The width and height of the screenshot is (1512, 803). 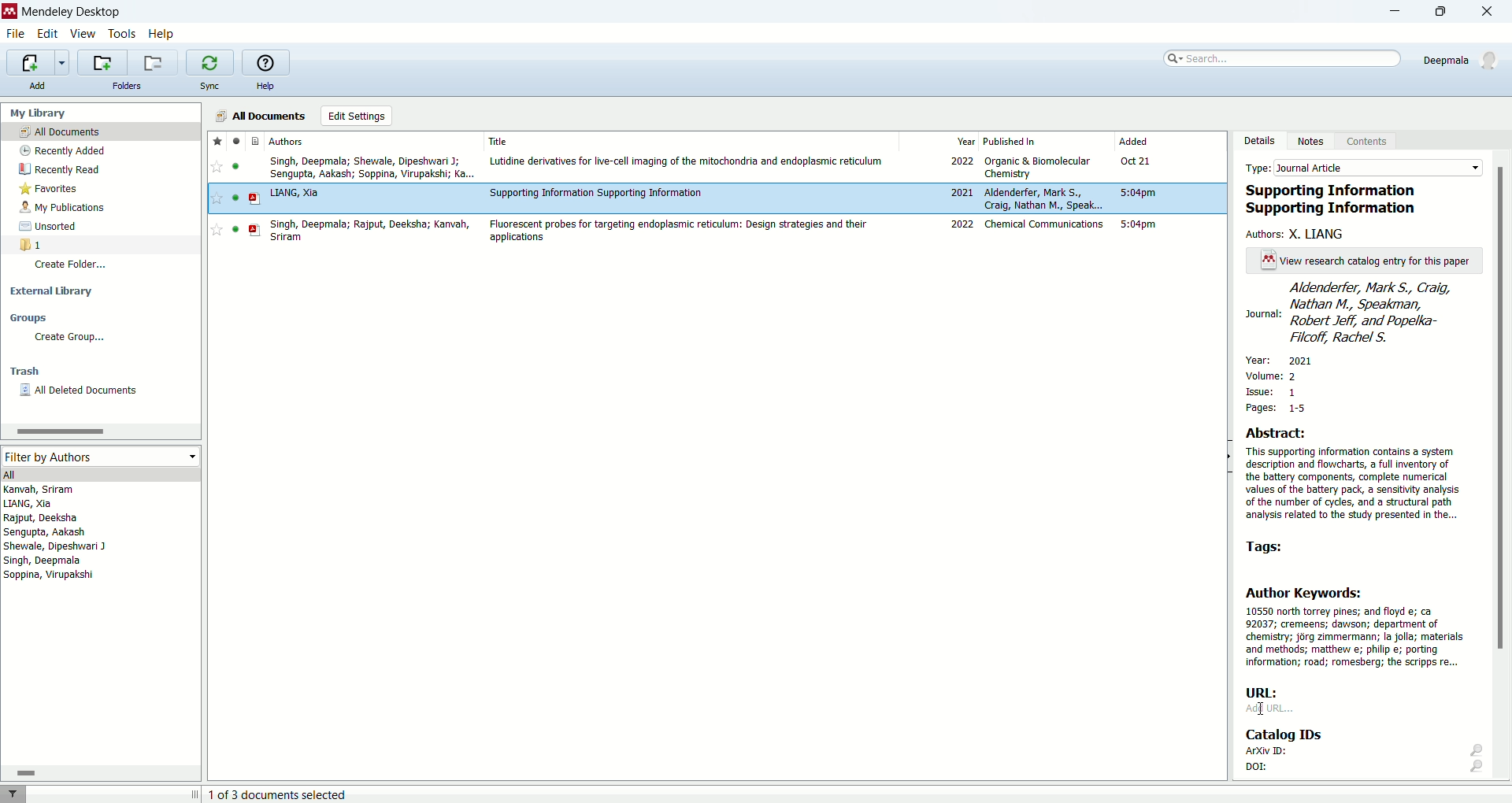 What do you see at coordinates (1488, 11) in the screenshot?
I see `close` at bounding box center [1488, 11].